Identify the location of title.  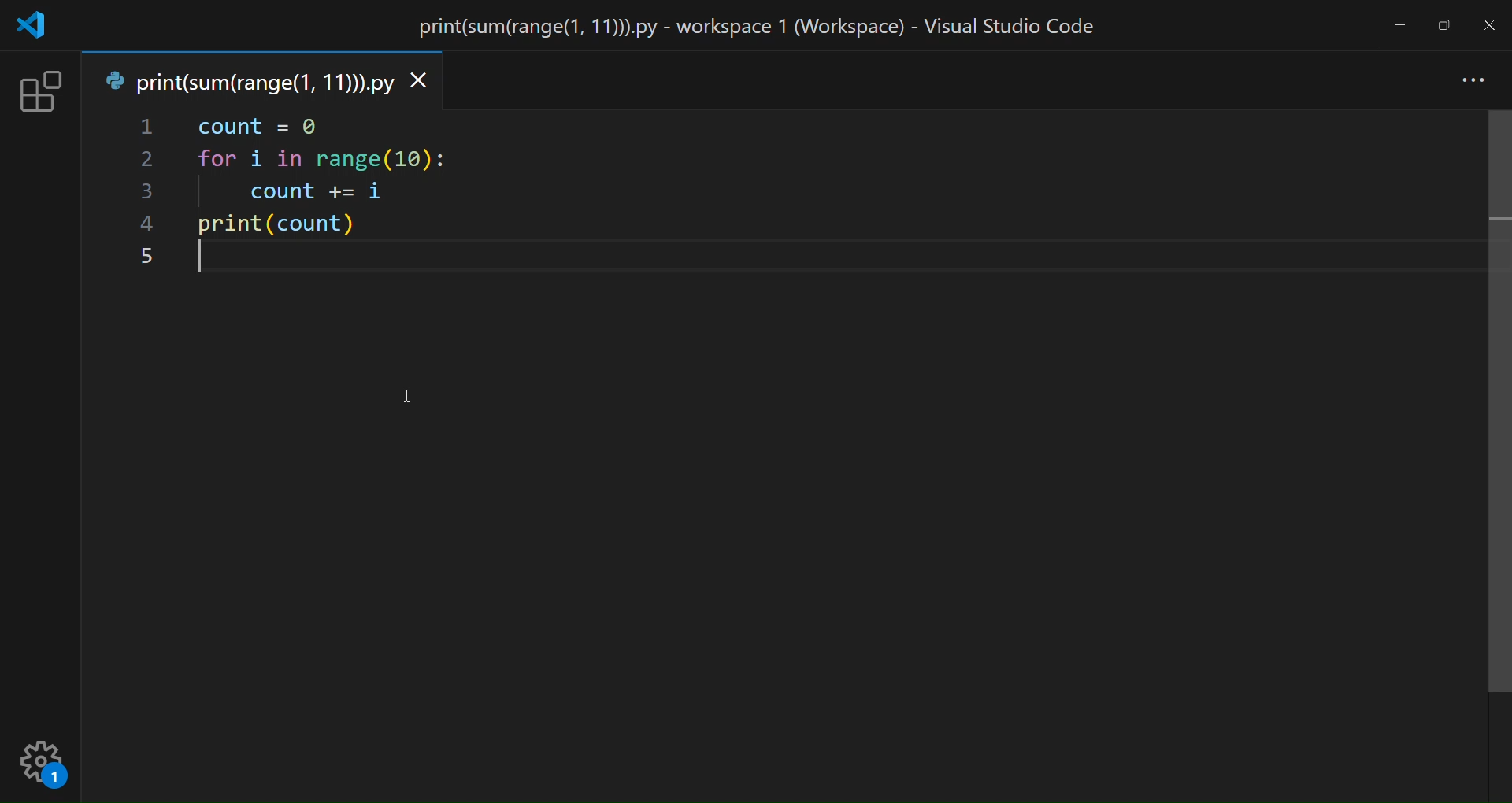
(762, 29).